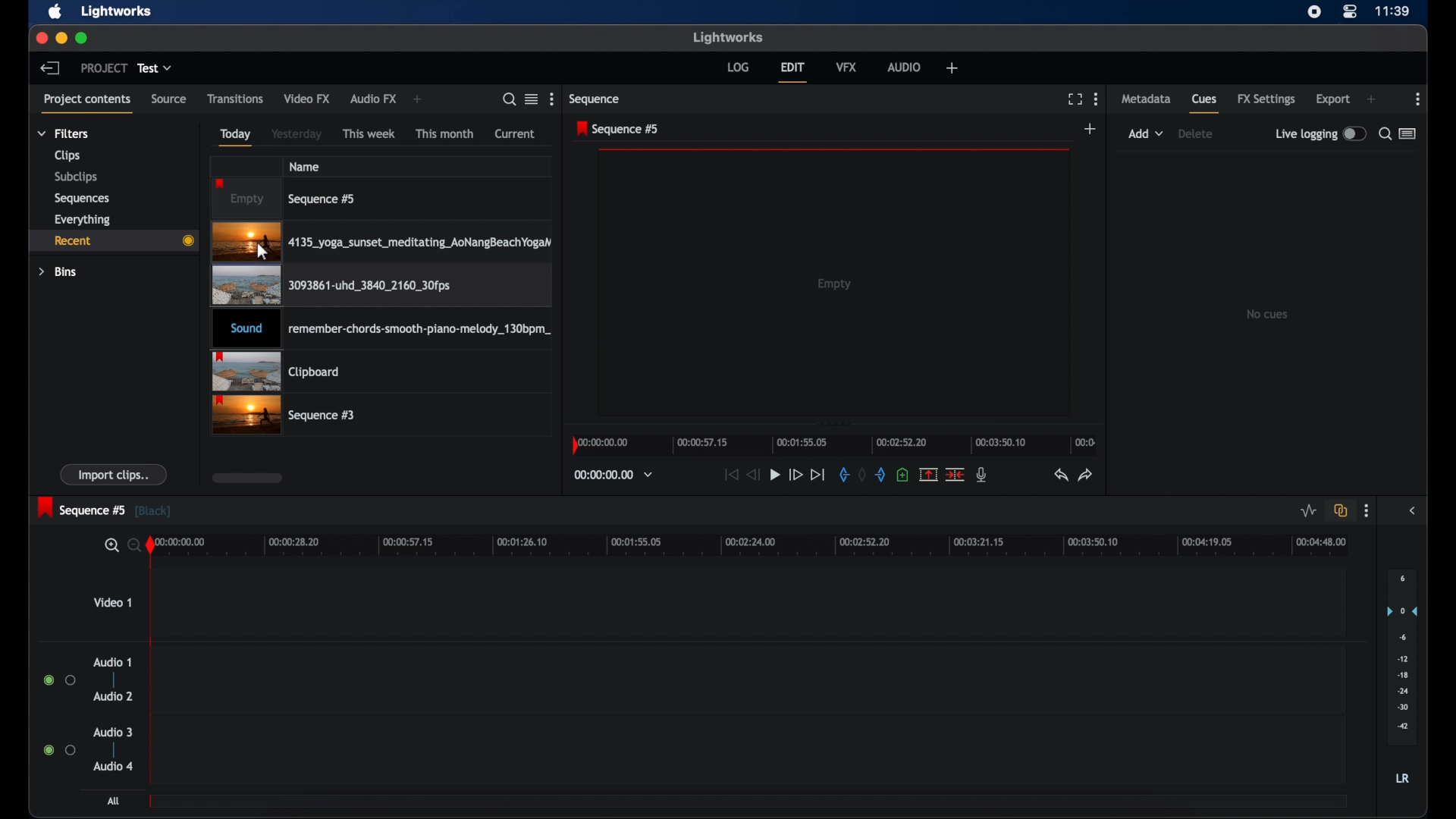 Image resolution: width=1456 pixels, height=819 pixels. I want to click on audio fx, so click(372, 99).